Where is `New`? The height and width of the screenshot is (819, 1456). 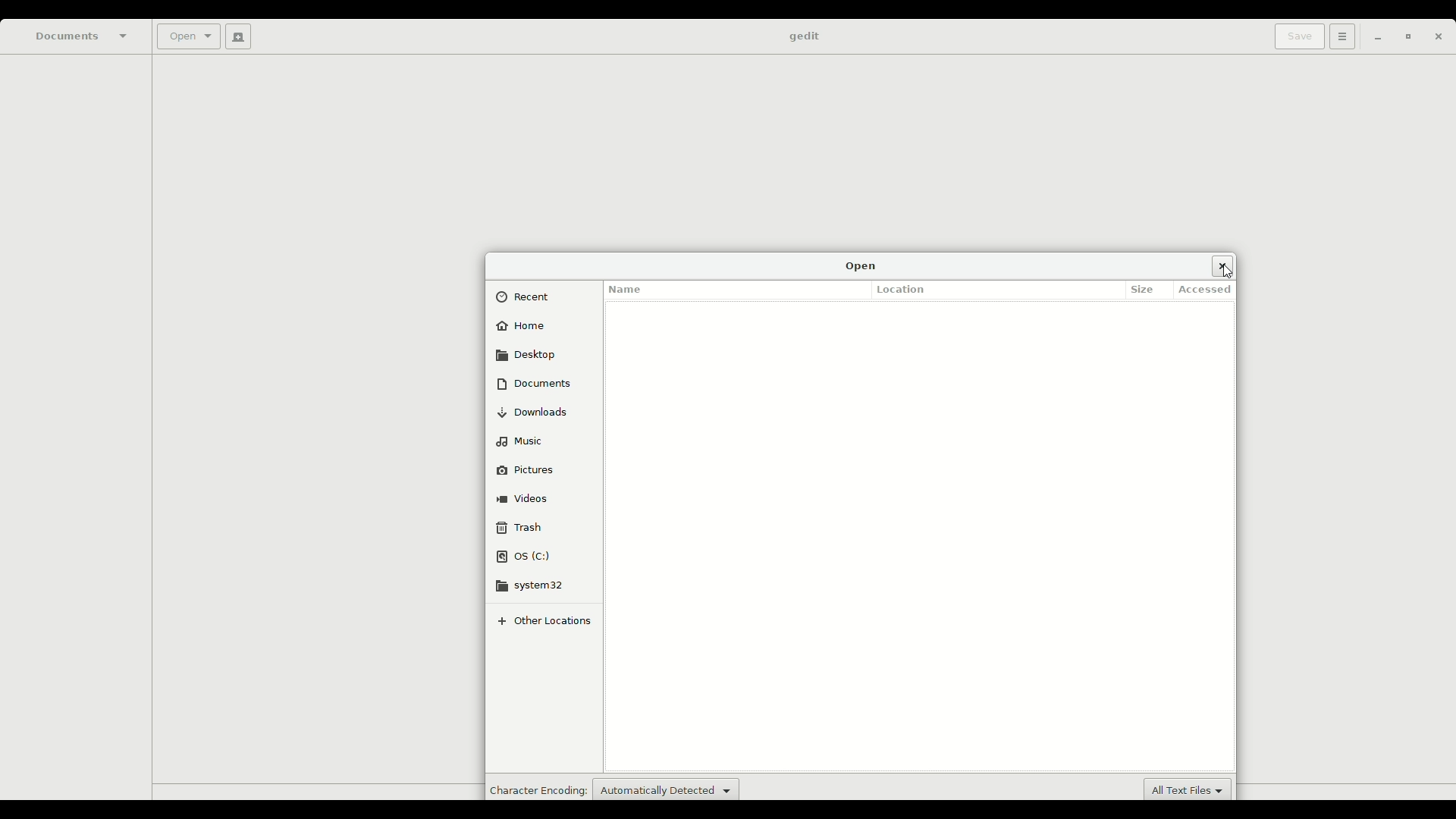
New is located at coordinates (235, 36).